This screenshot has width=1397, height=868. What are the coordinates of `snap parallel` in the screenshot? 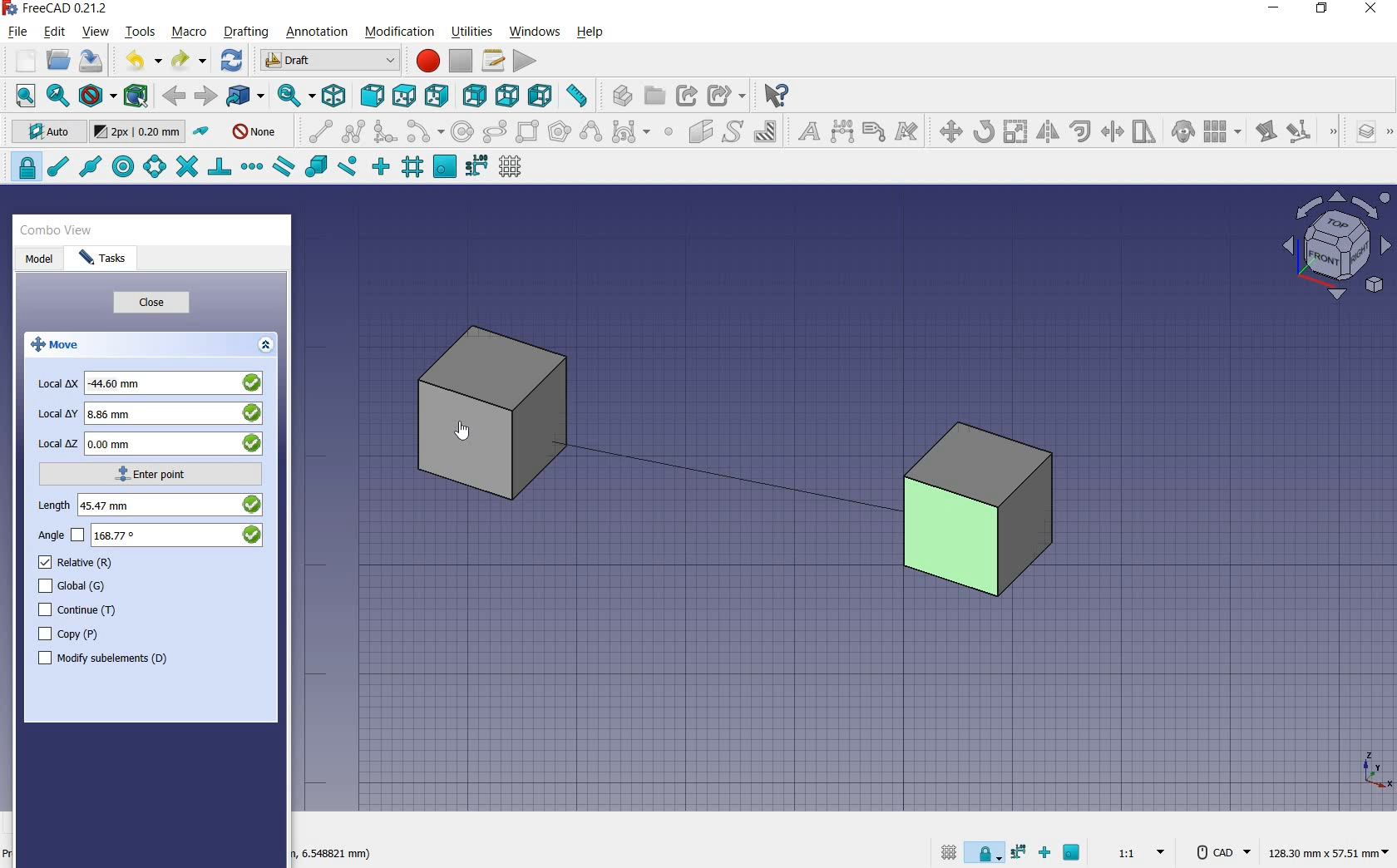 It's located at (284, 169).